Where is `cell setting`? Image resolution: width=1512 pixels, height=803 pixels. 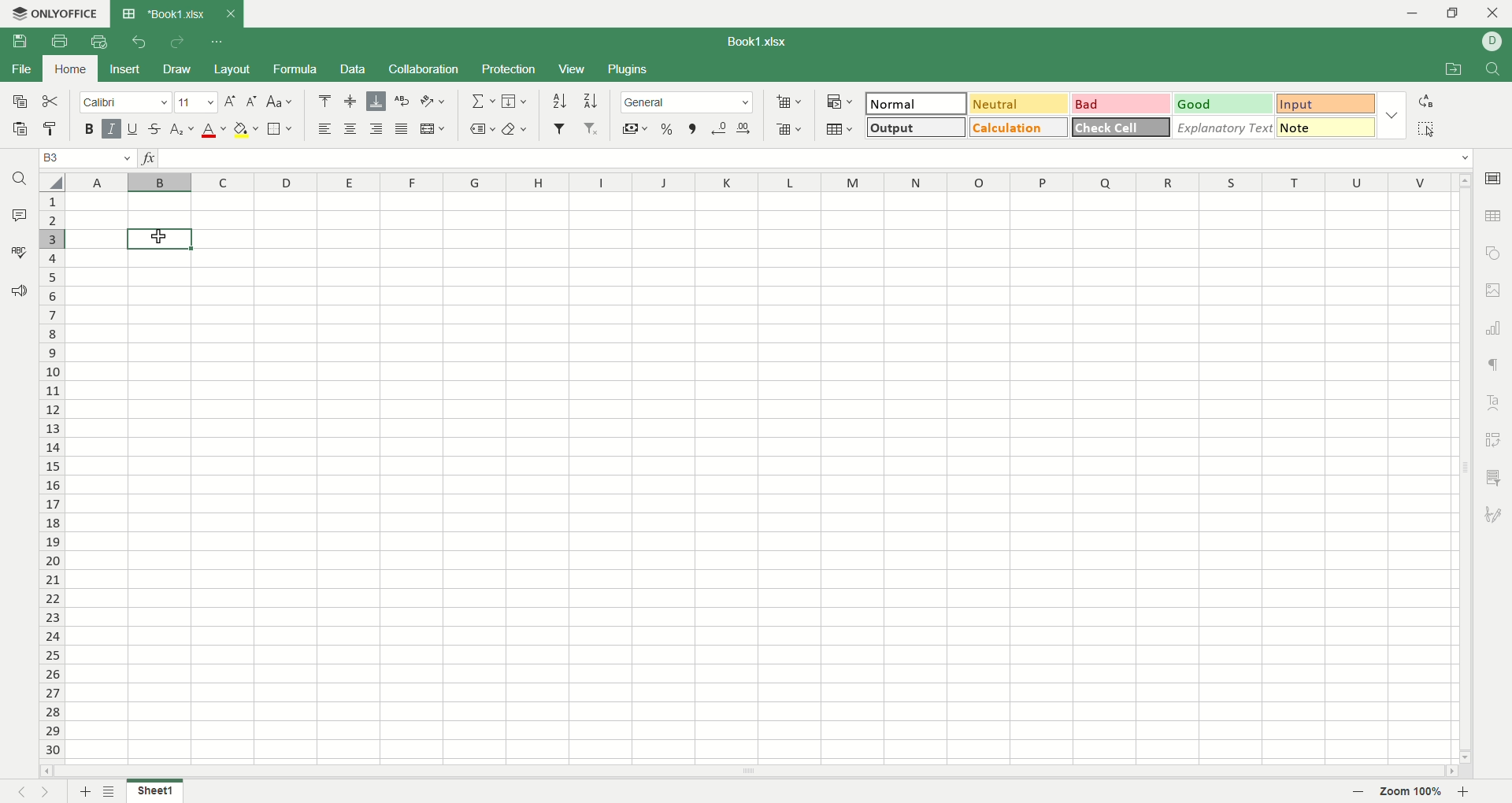
cell setting is located at coordinates (1494, 177).